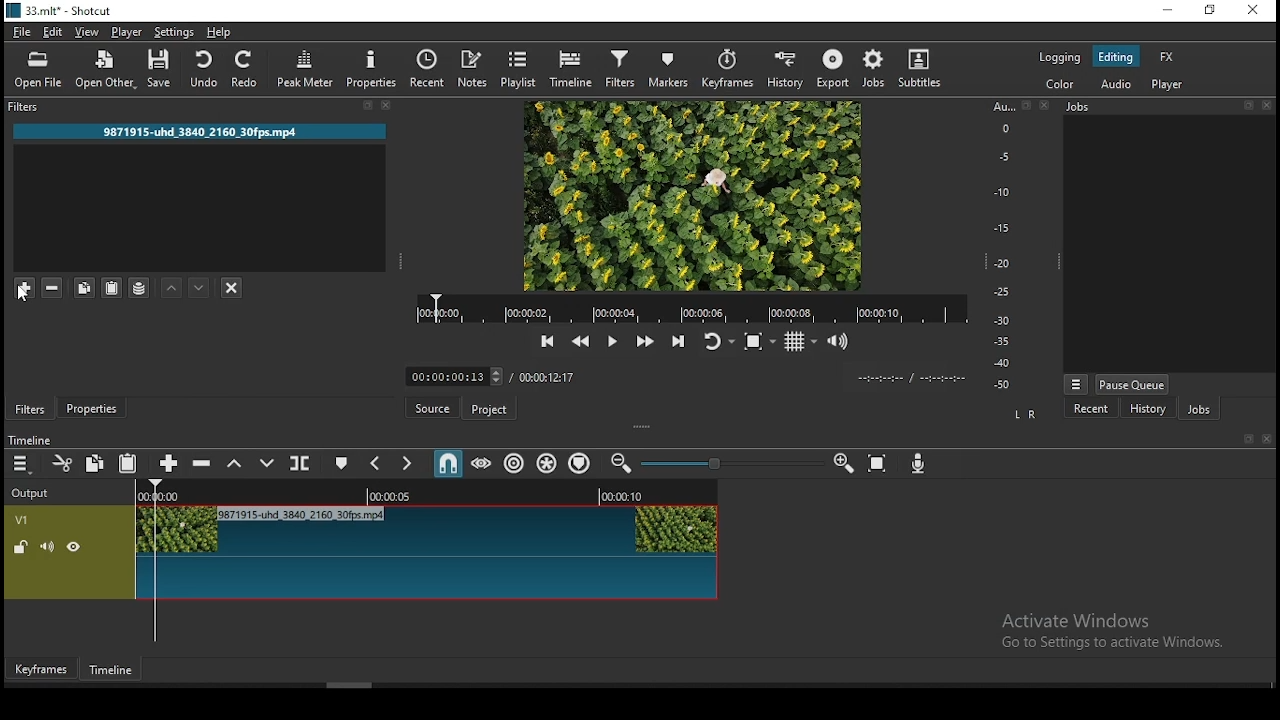 The height and width of the screenshot is (720, 1280). Describe the element at coordinates (1003, 261) in the screenshot. I see `-20` at that location.